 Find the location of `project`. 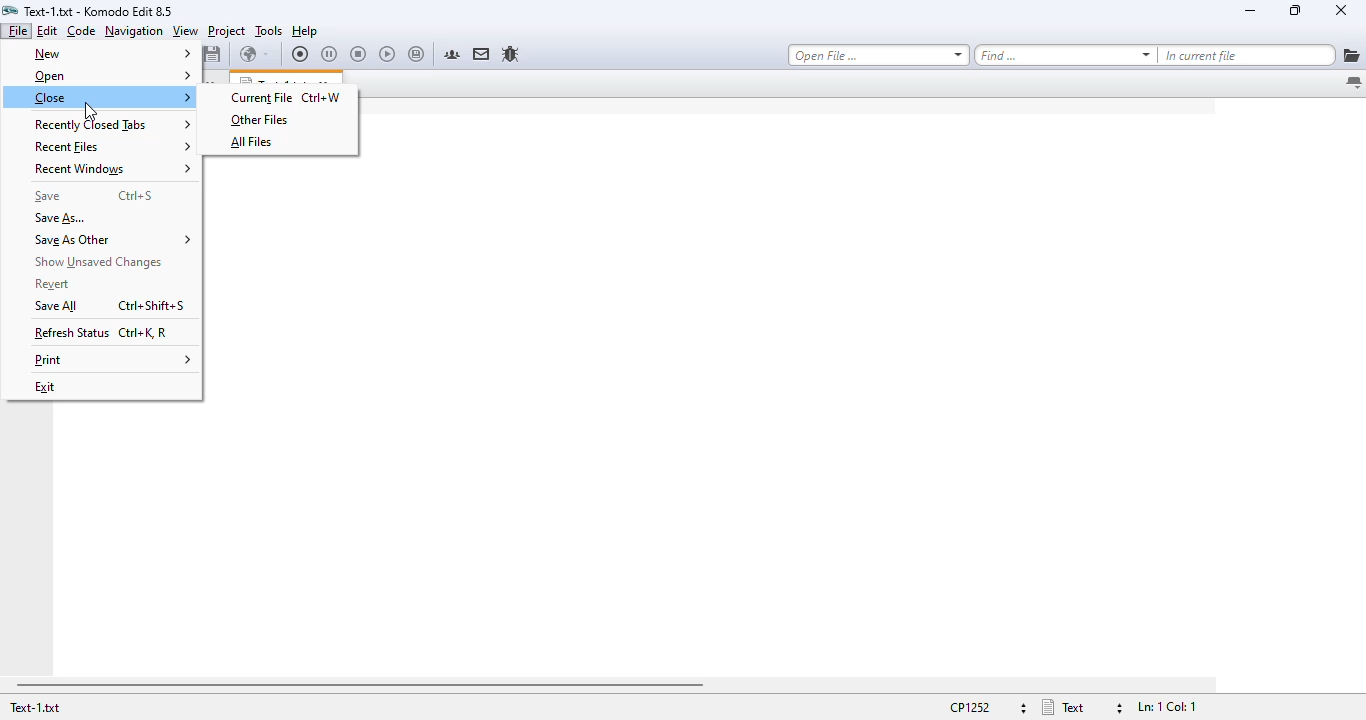

project is located at coordinates (227, 31).